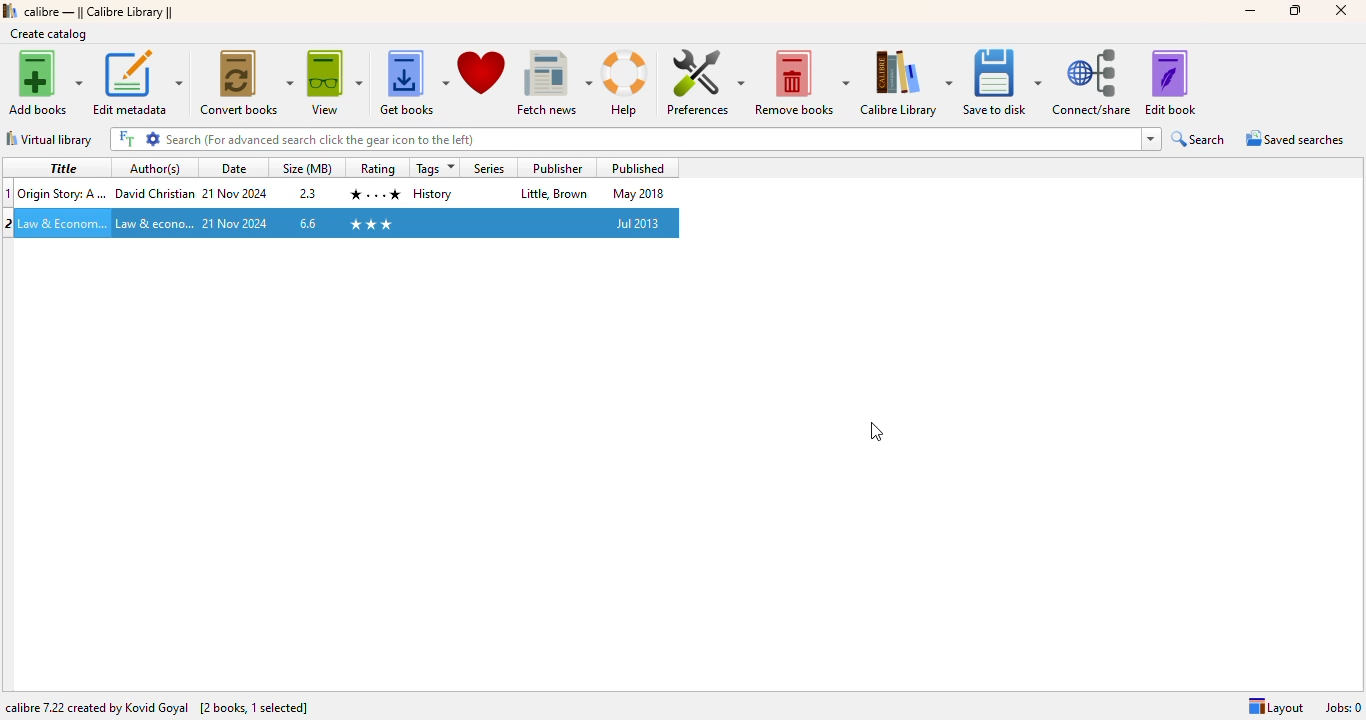  Describe the element at coordinates (906, 81) in the screenshot. I see `calibre library` at that location.